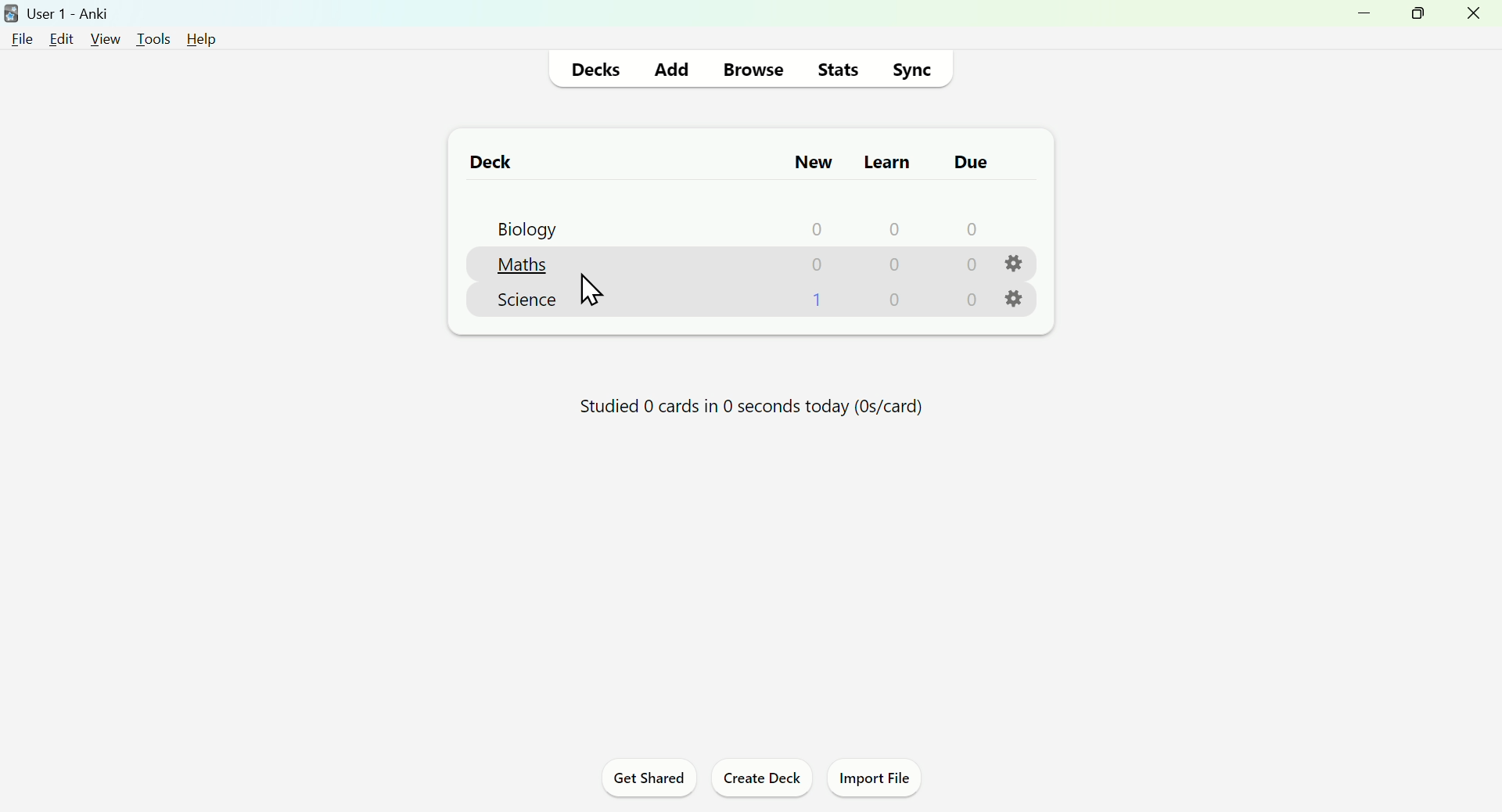 This screenshot has height=812, width=1502. Describe the element at coordinates (970, 228) in the screenshot. I see `0` at that location.